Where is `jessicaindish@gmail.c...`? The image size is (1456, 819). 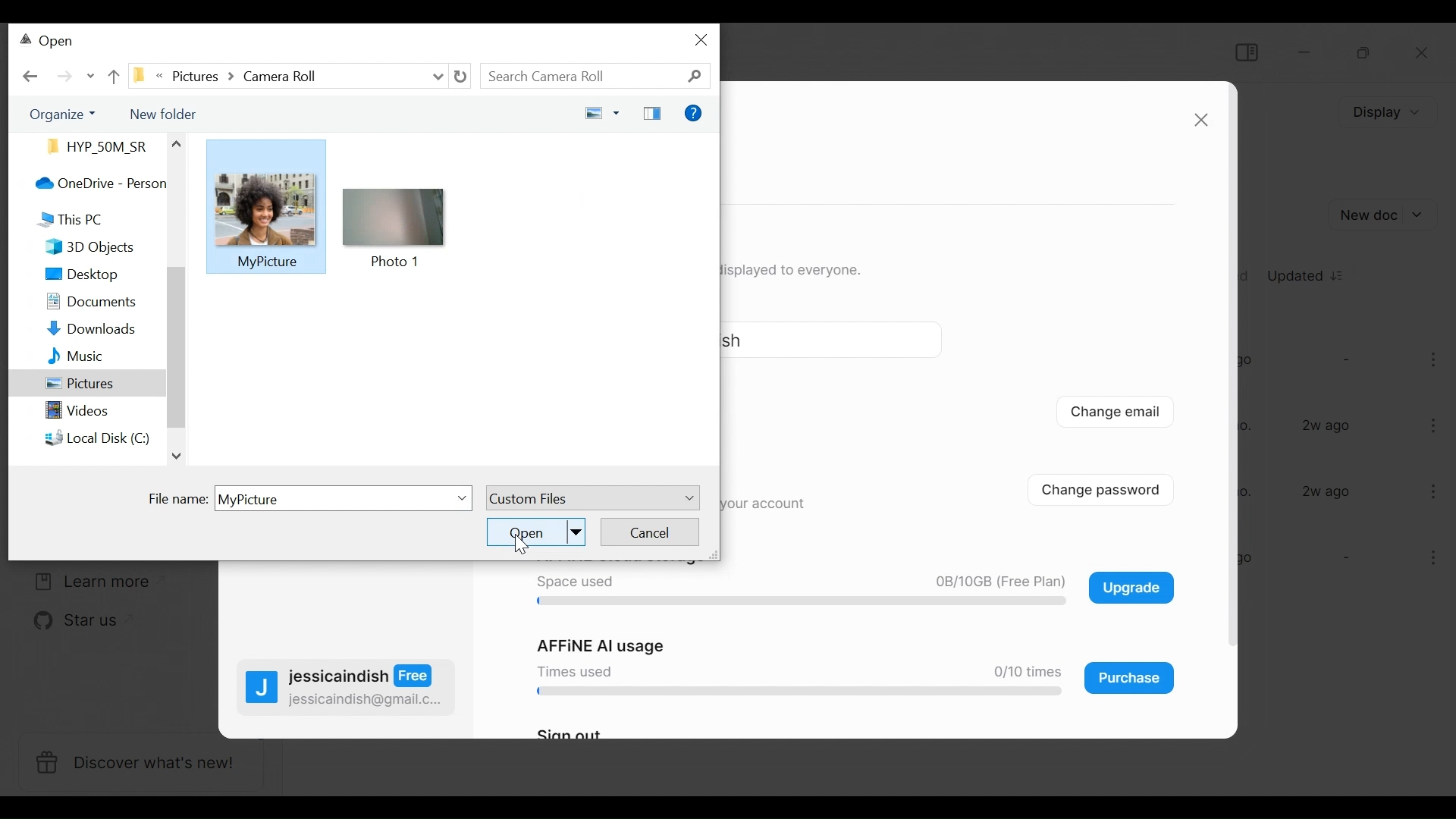 jessicaindish@gmail.c... is located at coordinates (366, 700).